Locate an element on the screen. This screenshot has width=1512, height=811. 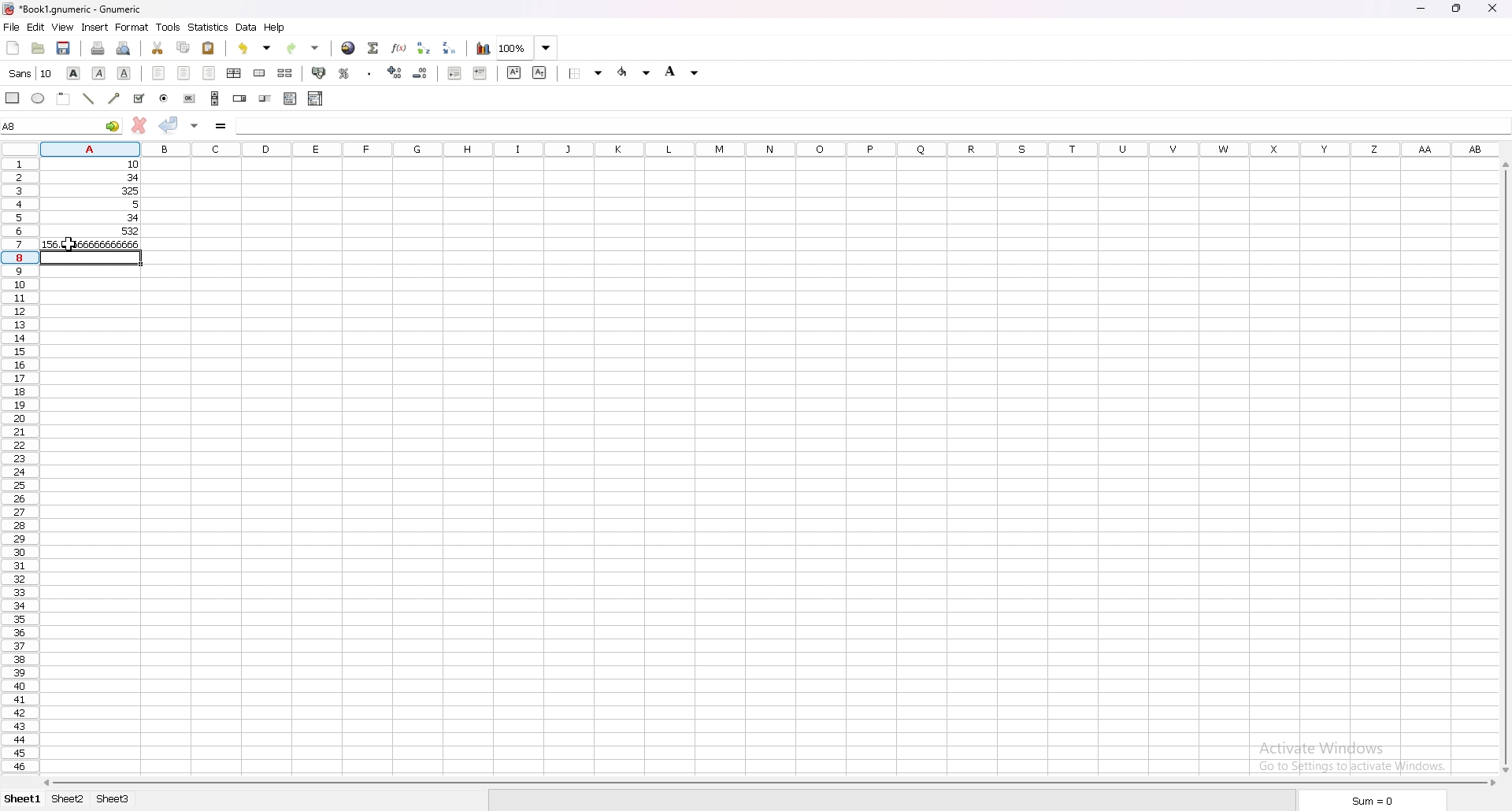
right align is located at coordinates (209, 72).